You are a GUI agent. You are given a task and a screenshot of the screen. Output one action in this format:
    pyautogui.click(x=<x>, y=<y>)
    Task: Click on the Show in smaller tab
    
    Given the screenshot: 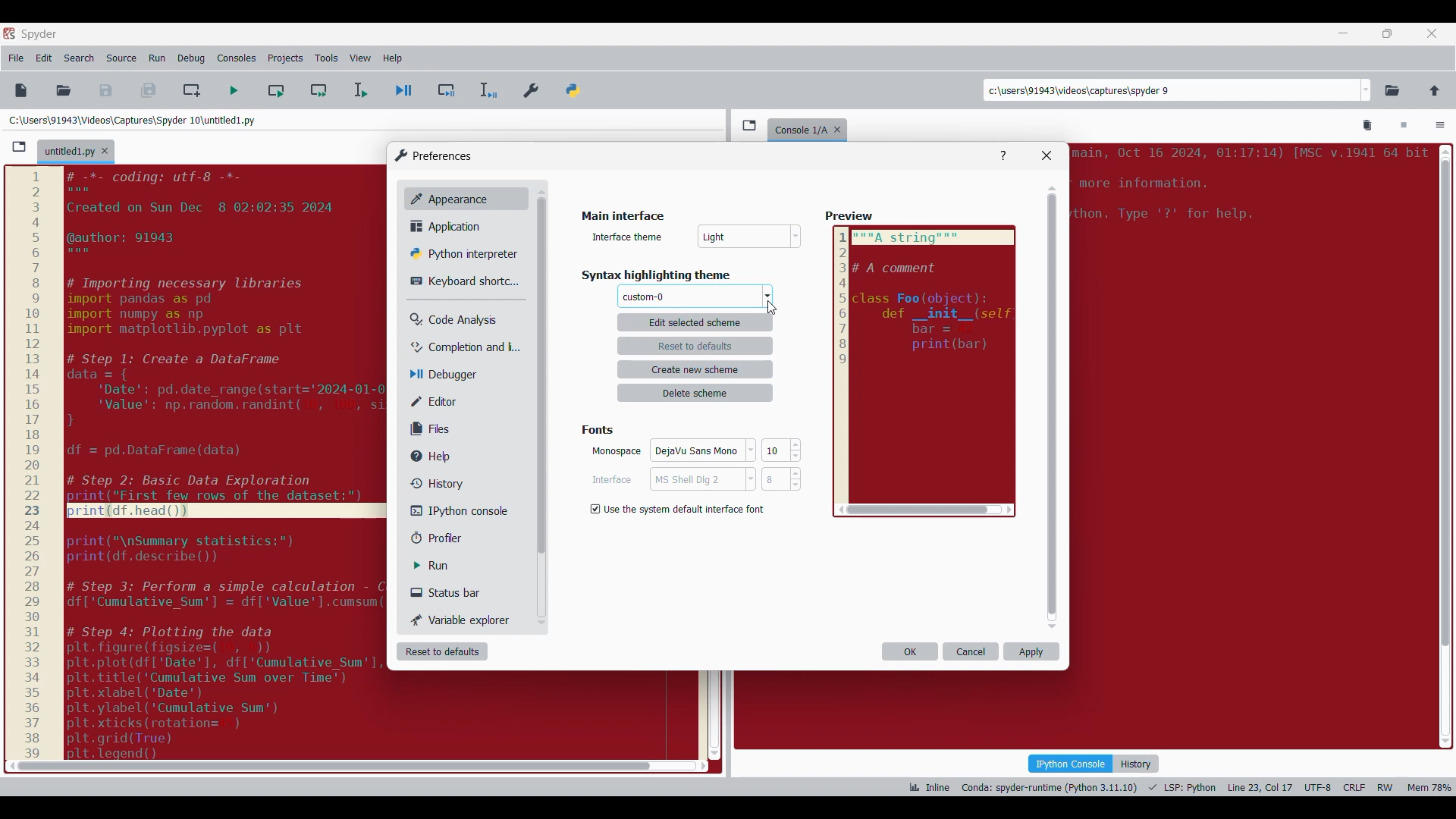 What is the action you would take?
    pyautogui.click(x=1387, y=33)
    